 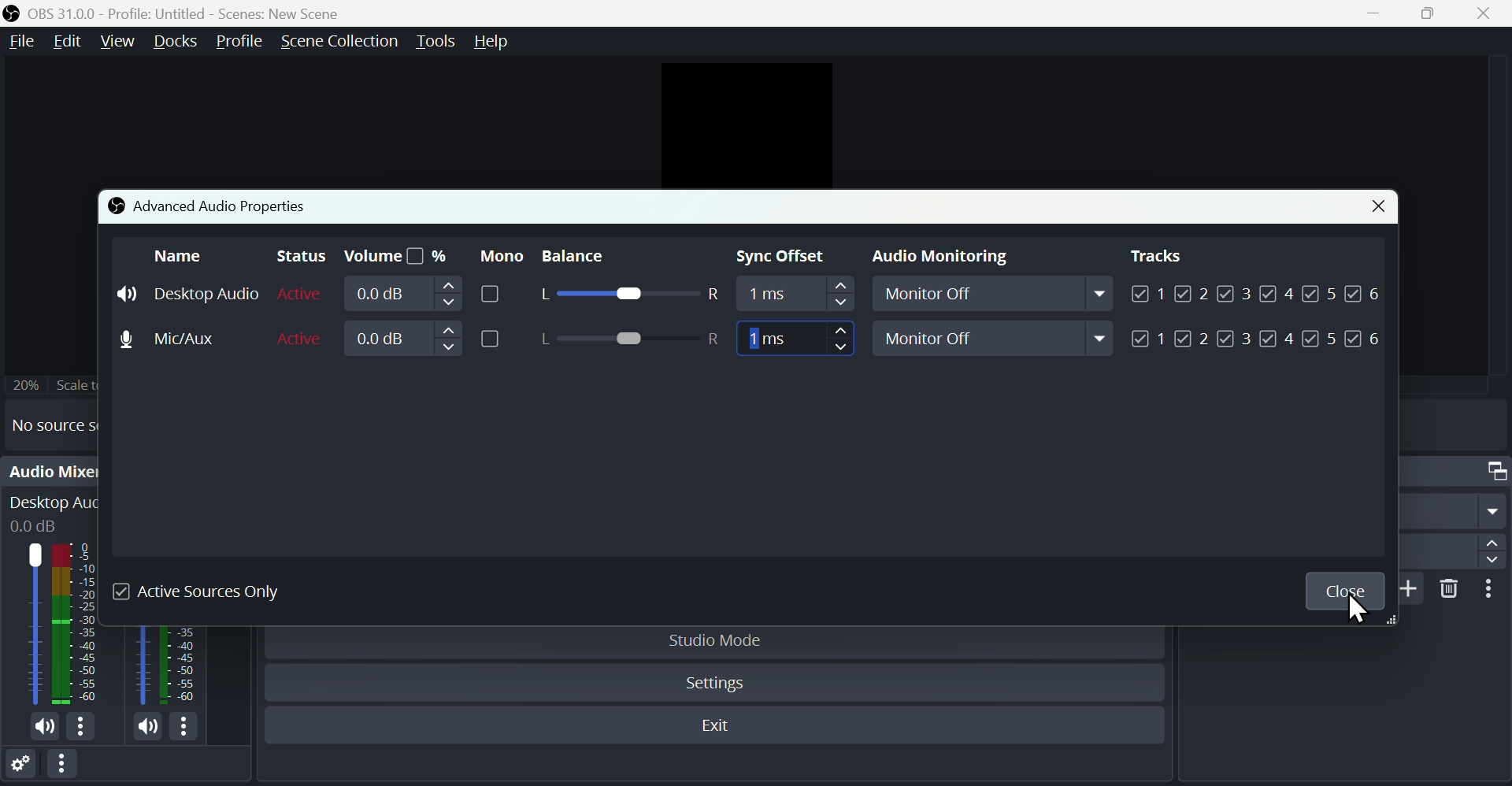 I want to click on view, so click(x=117, y=40).